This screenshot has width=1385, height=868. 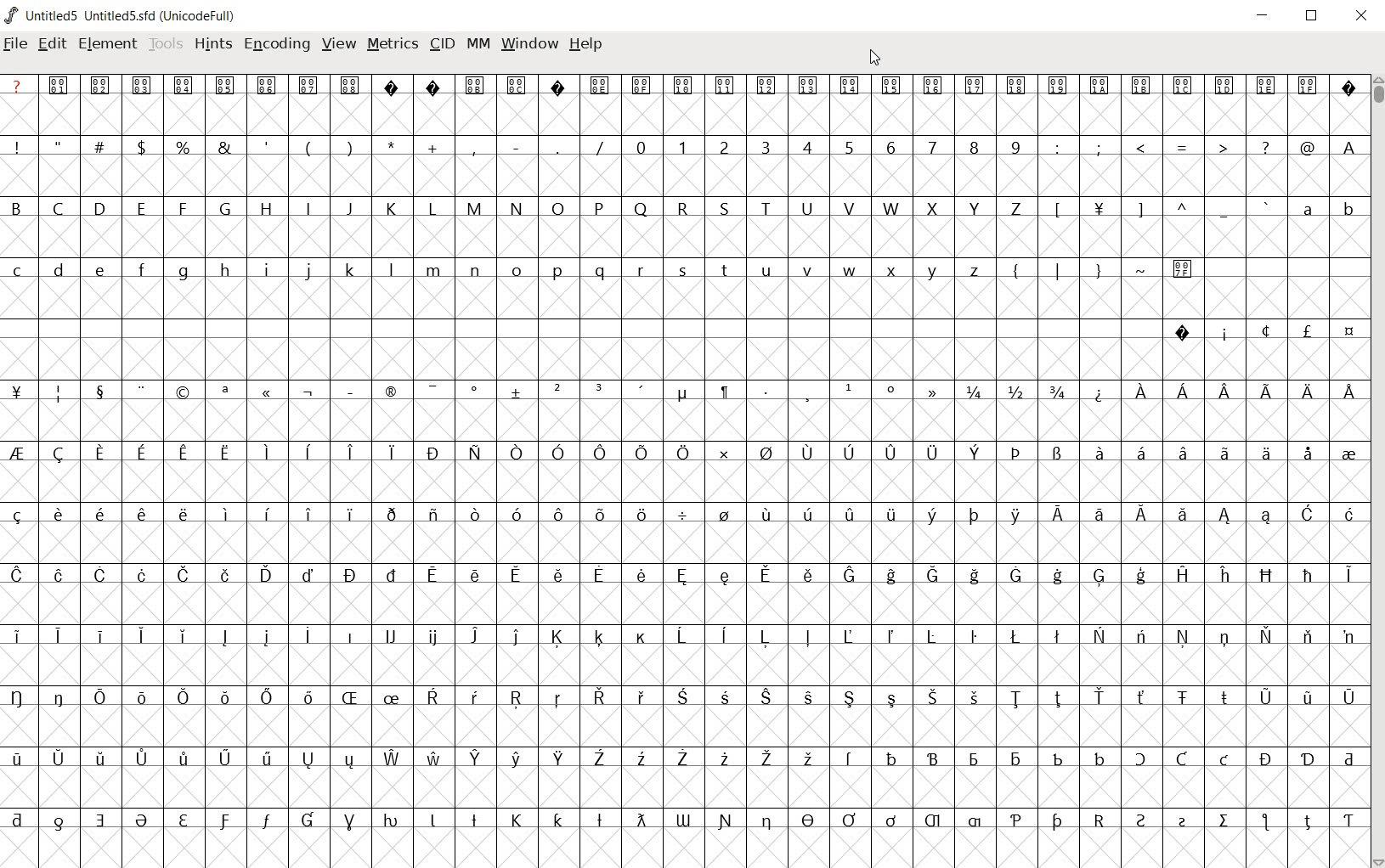 What do you see at coordinates (891, 518) in the screenshot?
I see `Symbol` at bounding box center [891, 518].